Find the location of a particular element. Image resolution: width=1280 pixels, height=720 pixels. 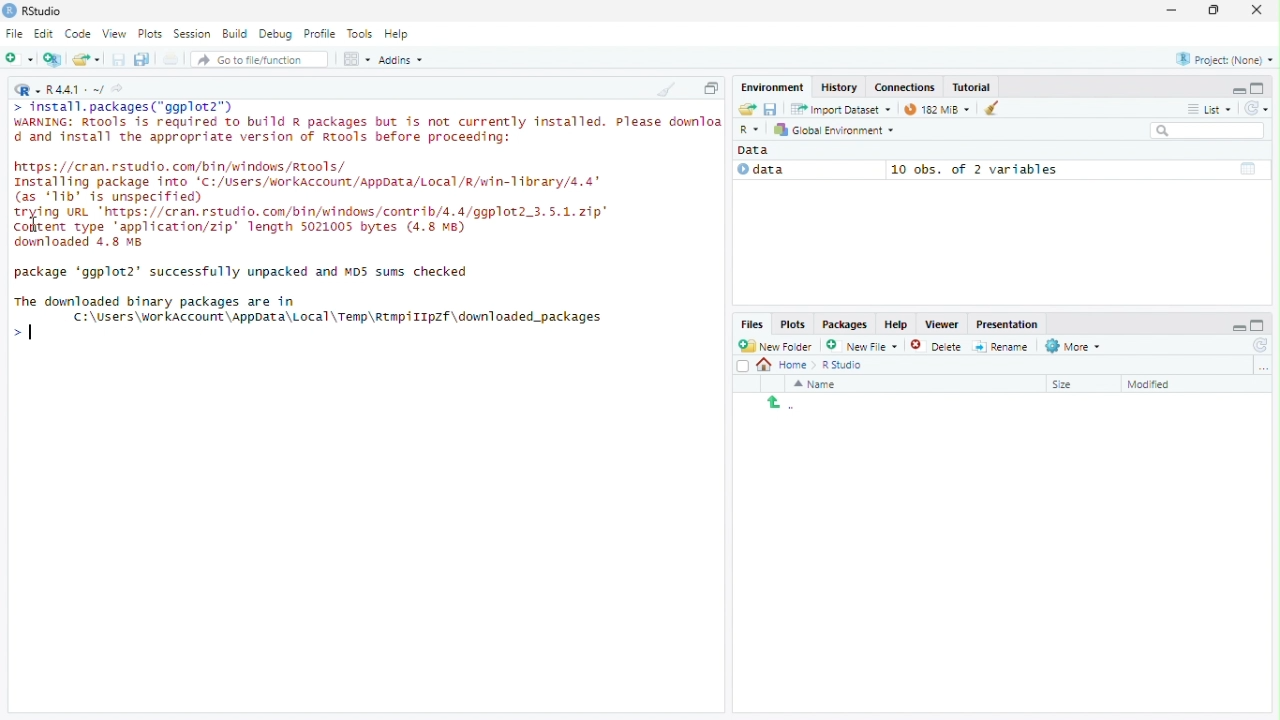

Import Dataset is located at coordinates (840, 110).